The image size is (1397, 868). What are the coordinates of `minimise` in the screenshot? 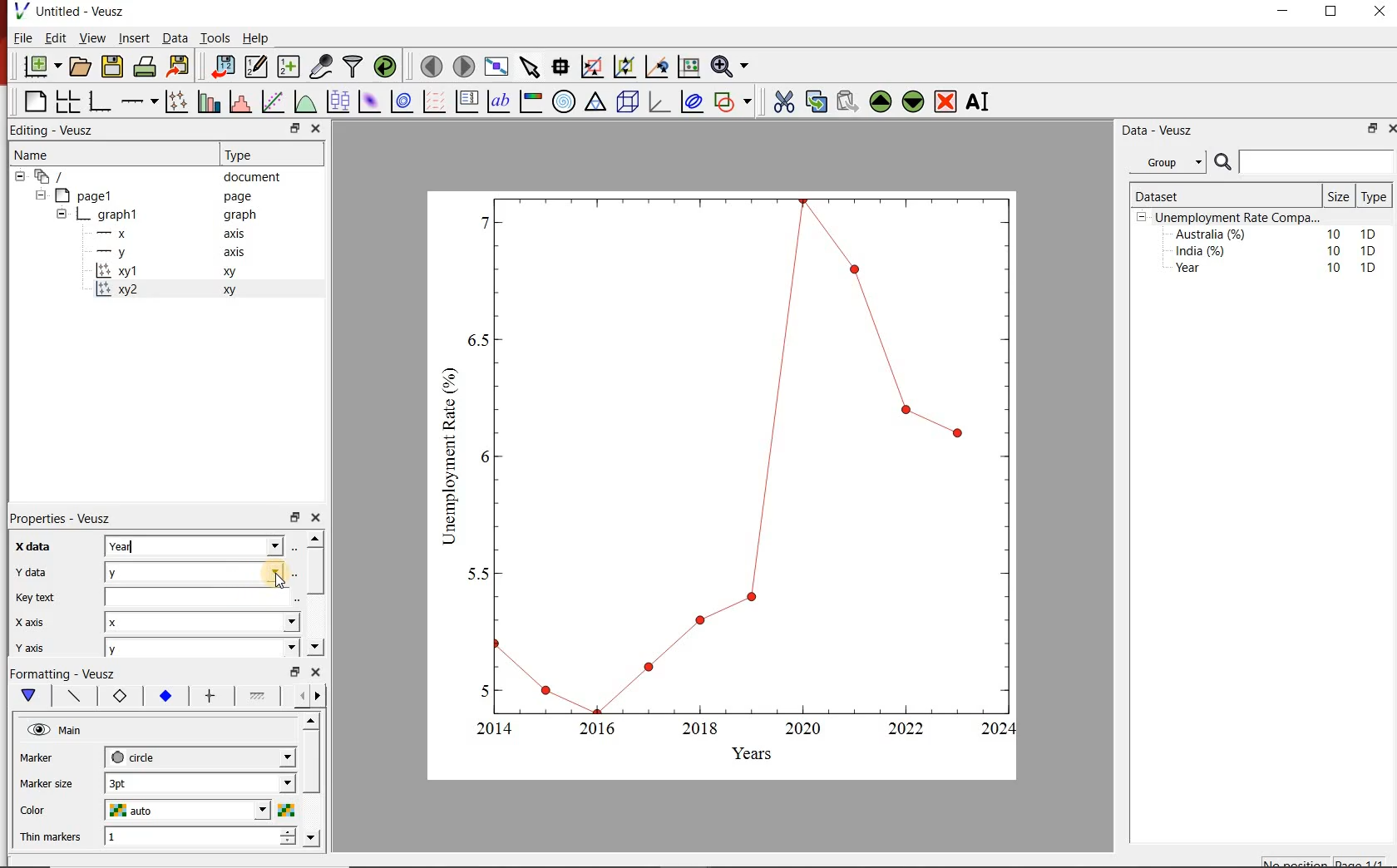 It's located at (294, 516).